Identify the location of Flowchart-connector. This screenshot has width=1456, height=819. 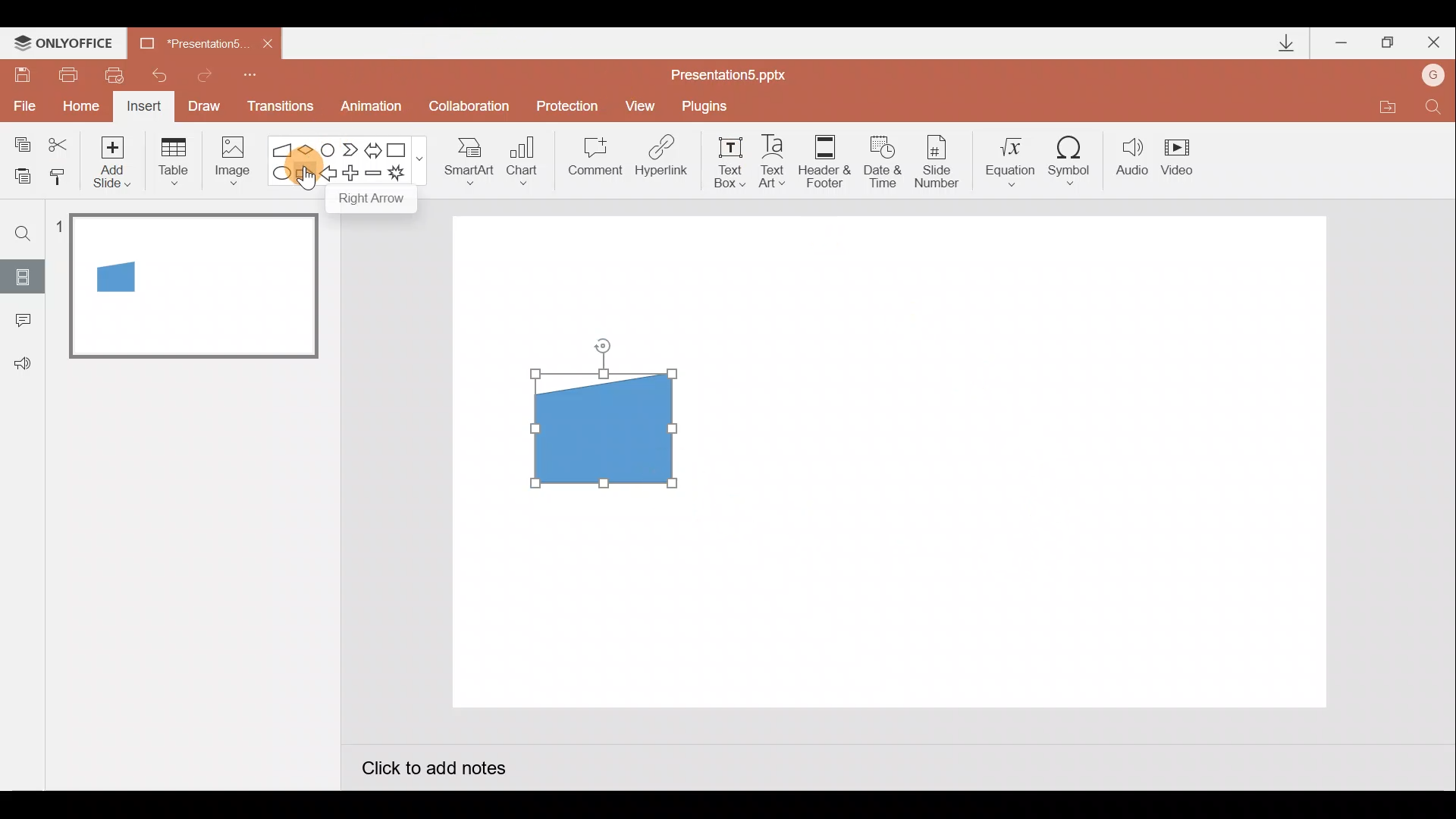
(329, 149).